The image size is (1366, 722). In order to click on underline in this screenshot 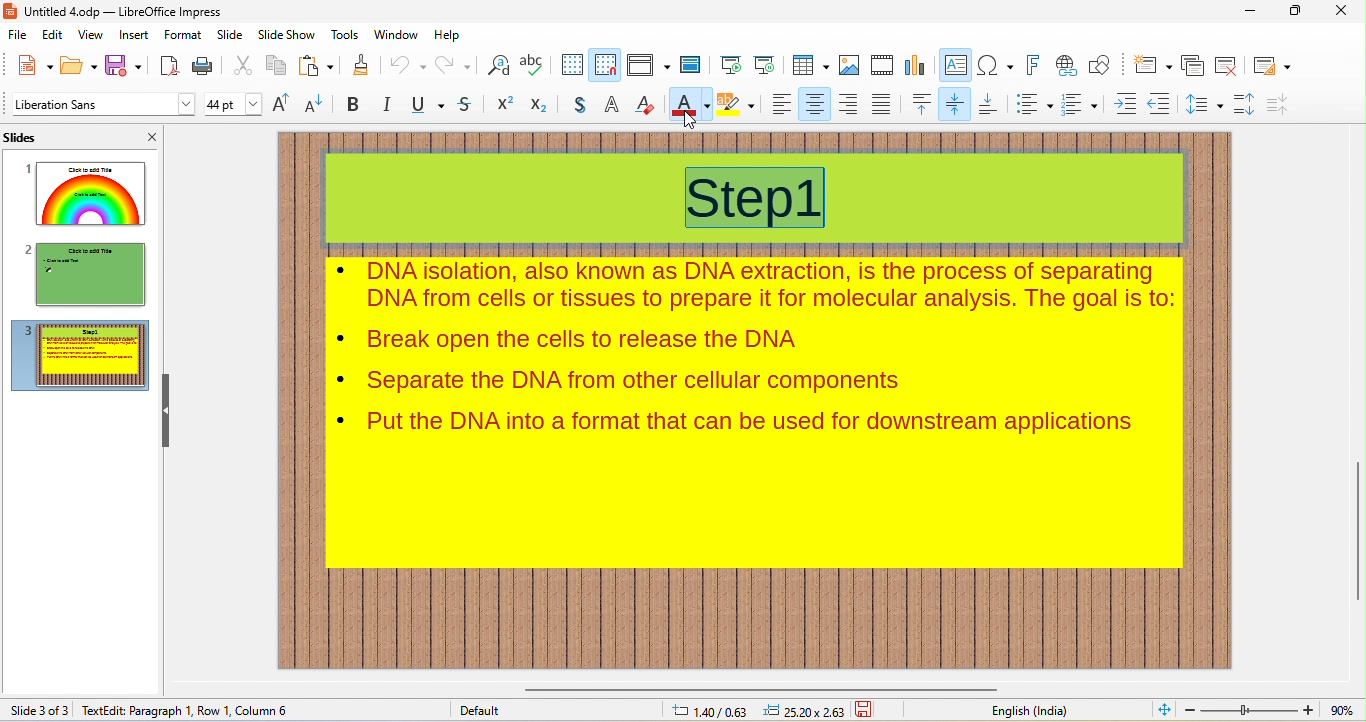, I will do `click(428, 104)`.